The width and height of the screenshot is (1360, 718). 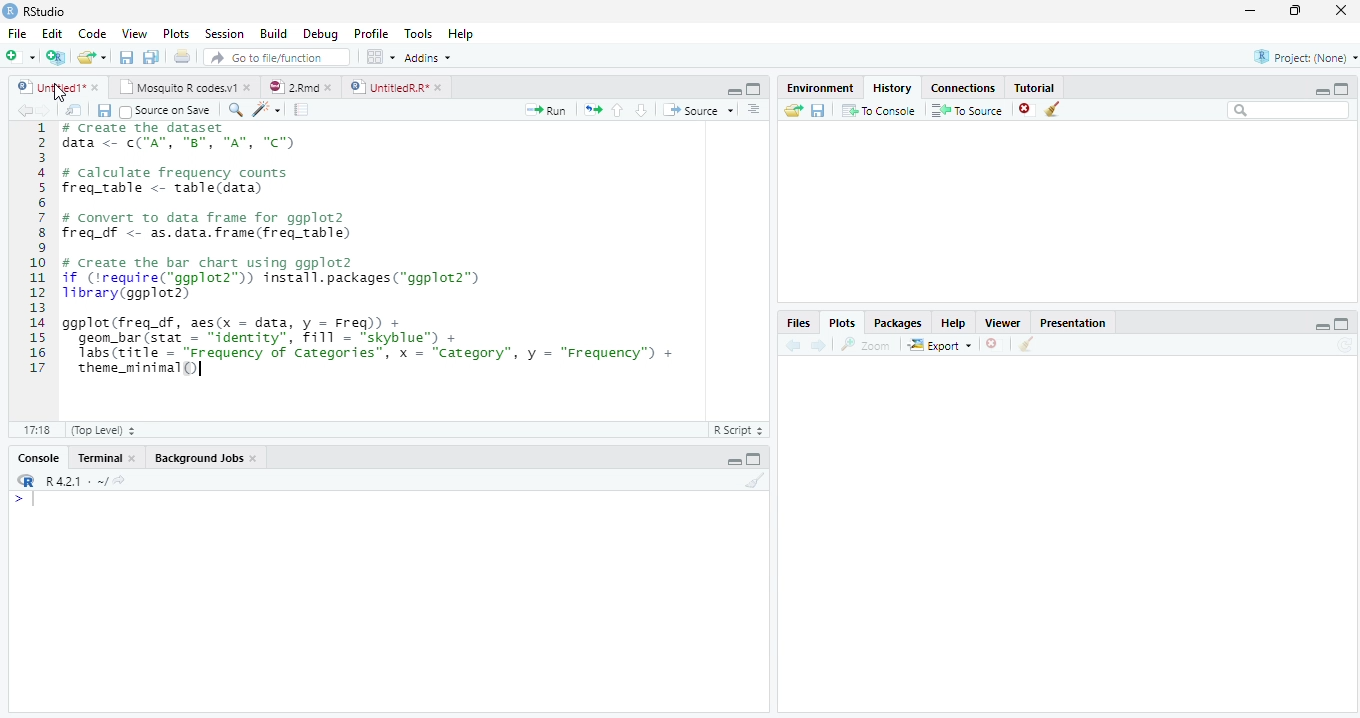 I want to click on Create a project, so click(x=54, y=56).